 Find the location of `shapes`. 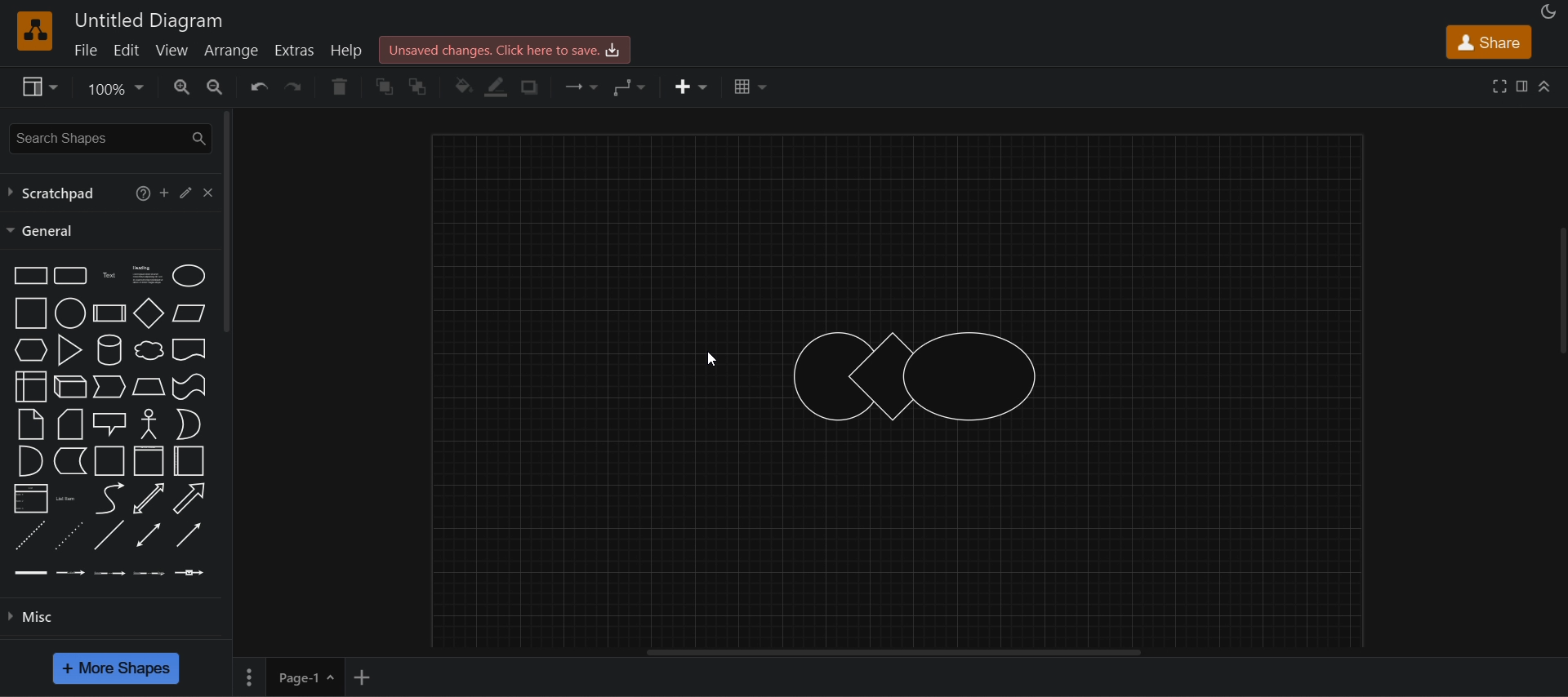

shapes is located at coordinates (917, 374).